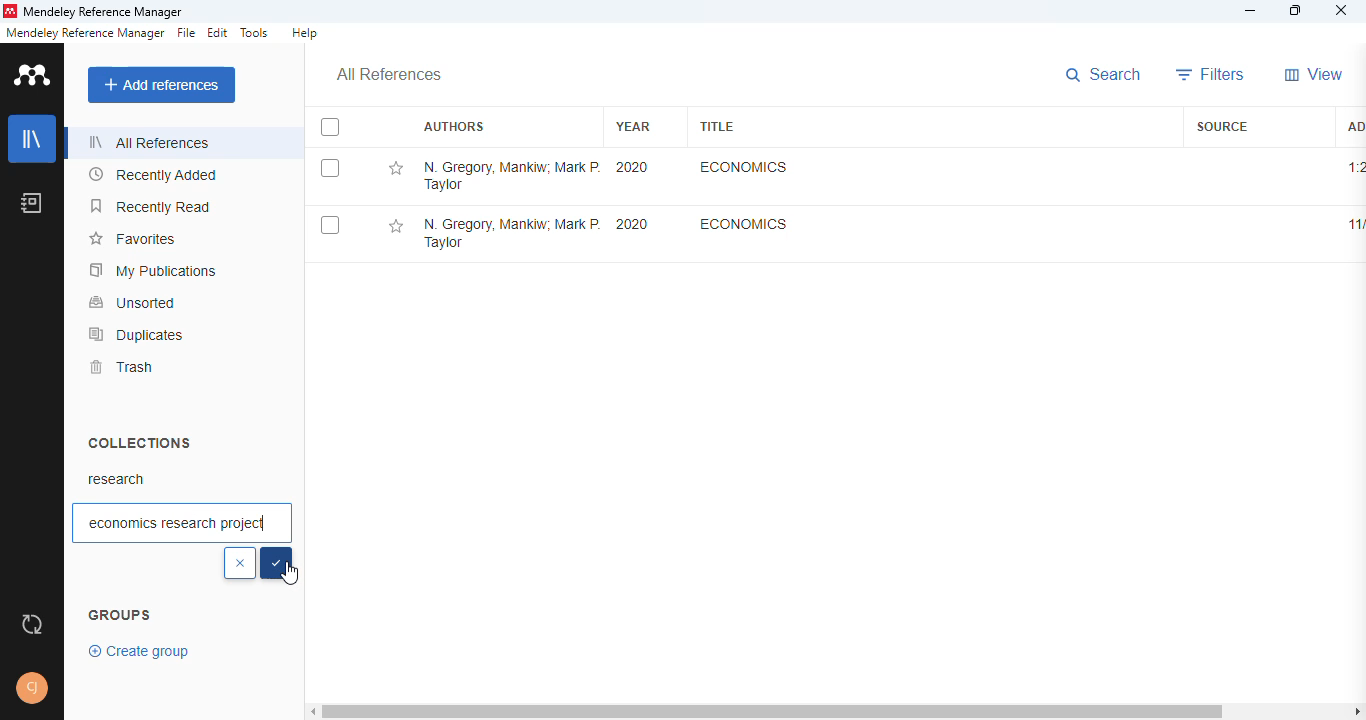  Describe the element at coordinates (716, 126) in the screenshot. I see `title` at that location.